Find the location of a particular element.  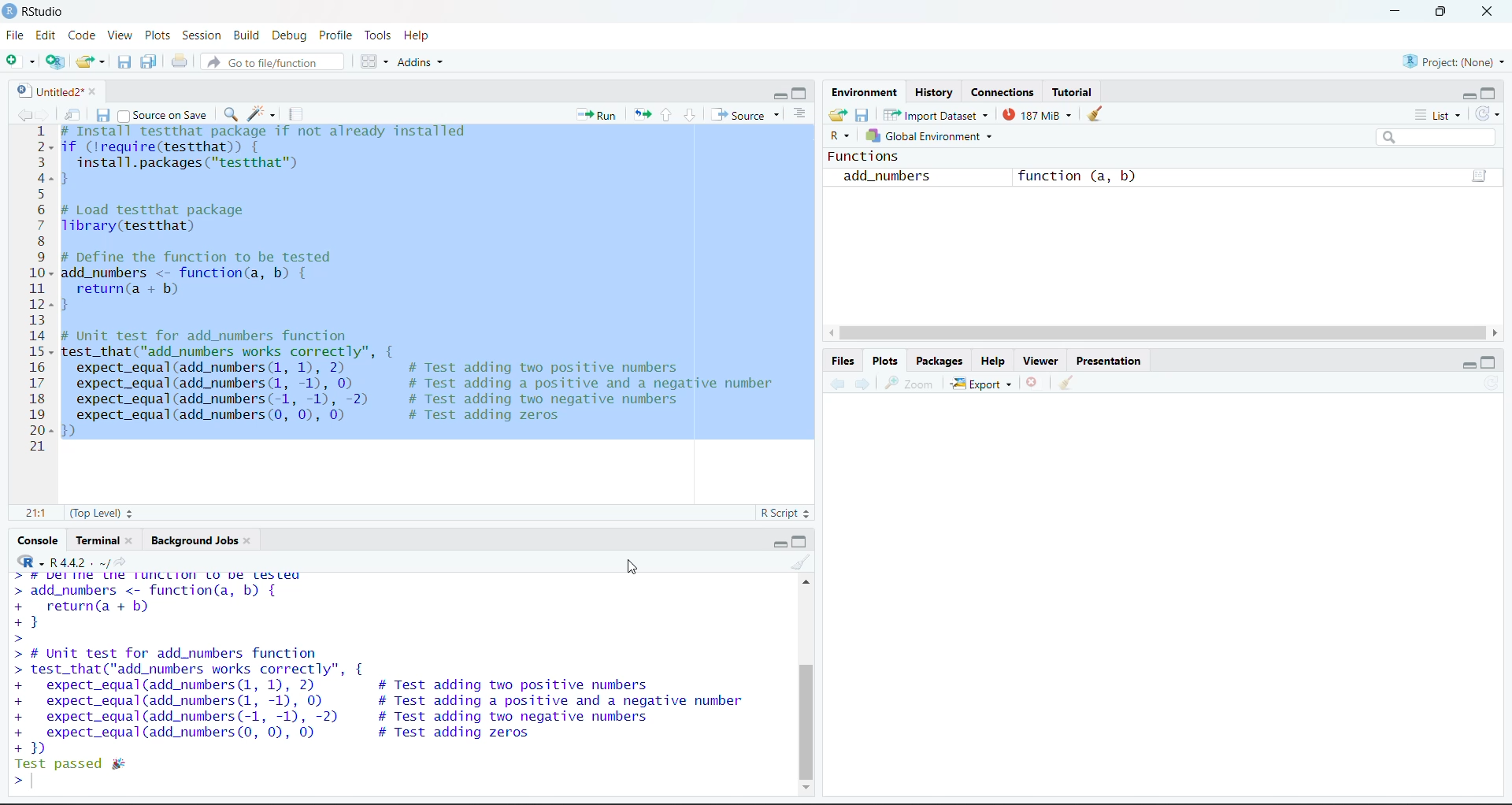

remove is located at coordinates (1032, 381).